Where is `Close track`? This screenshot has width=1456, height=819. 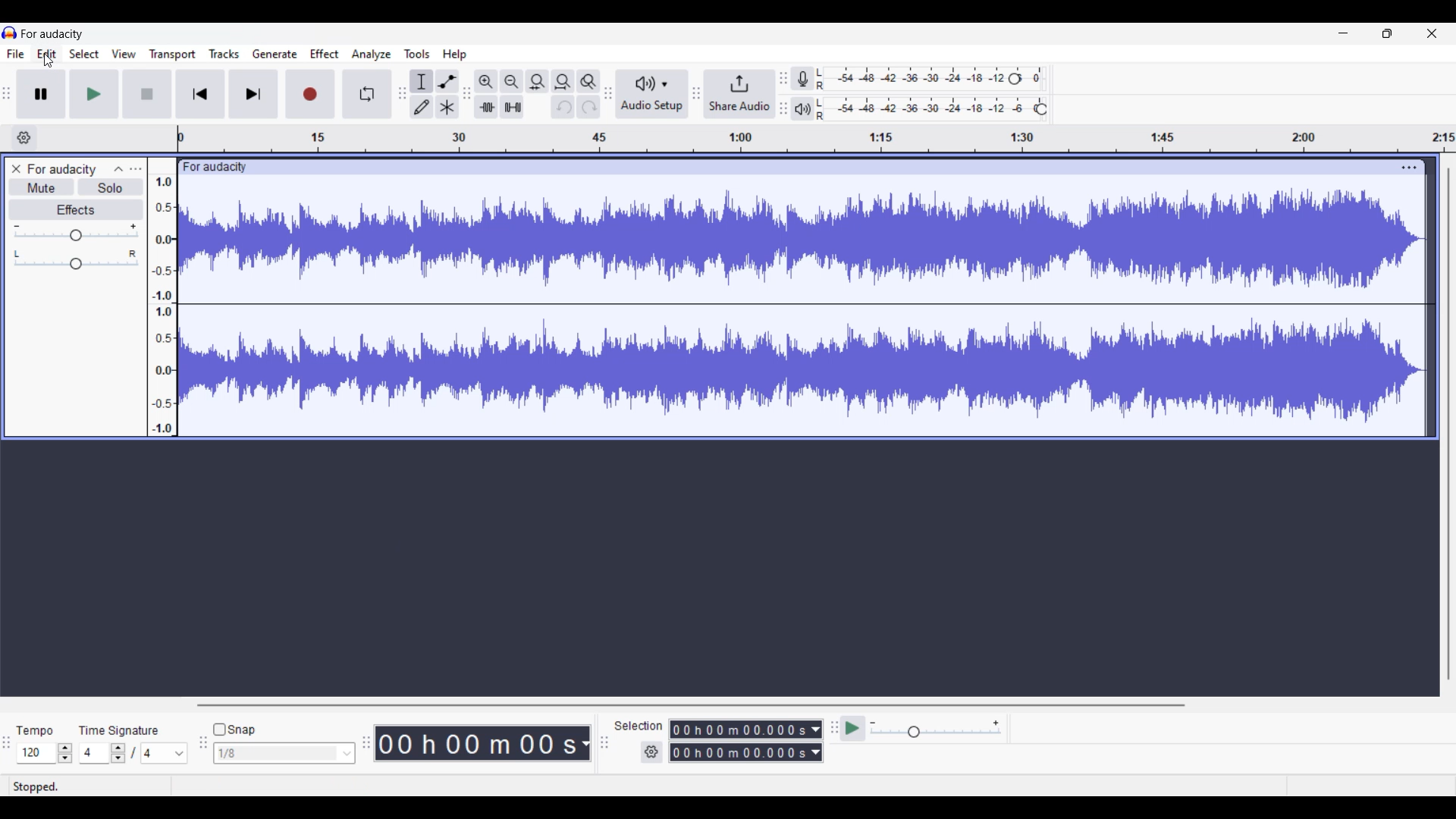
Close track is located at coordinates (16, 169).